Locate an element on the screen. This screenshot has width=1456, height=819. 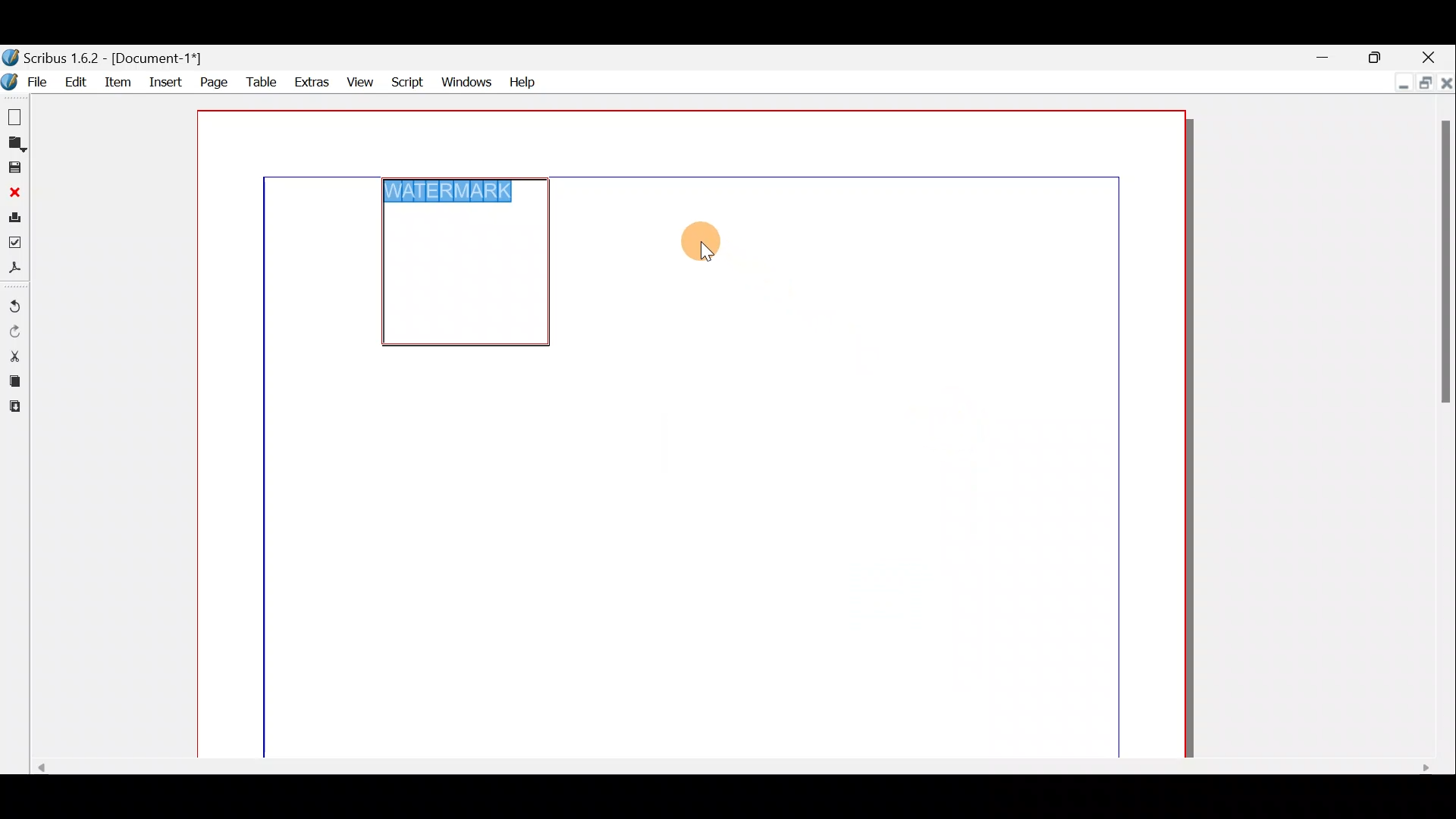
Save is located at coordinates (14, 168).